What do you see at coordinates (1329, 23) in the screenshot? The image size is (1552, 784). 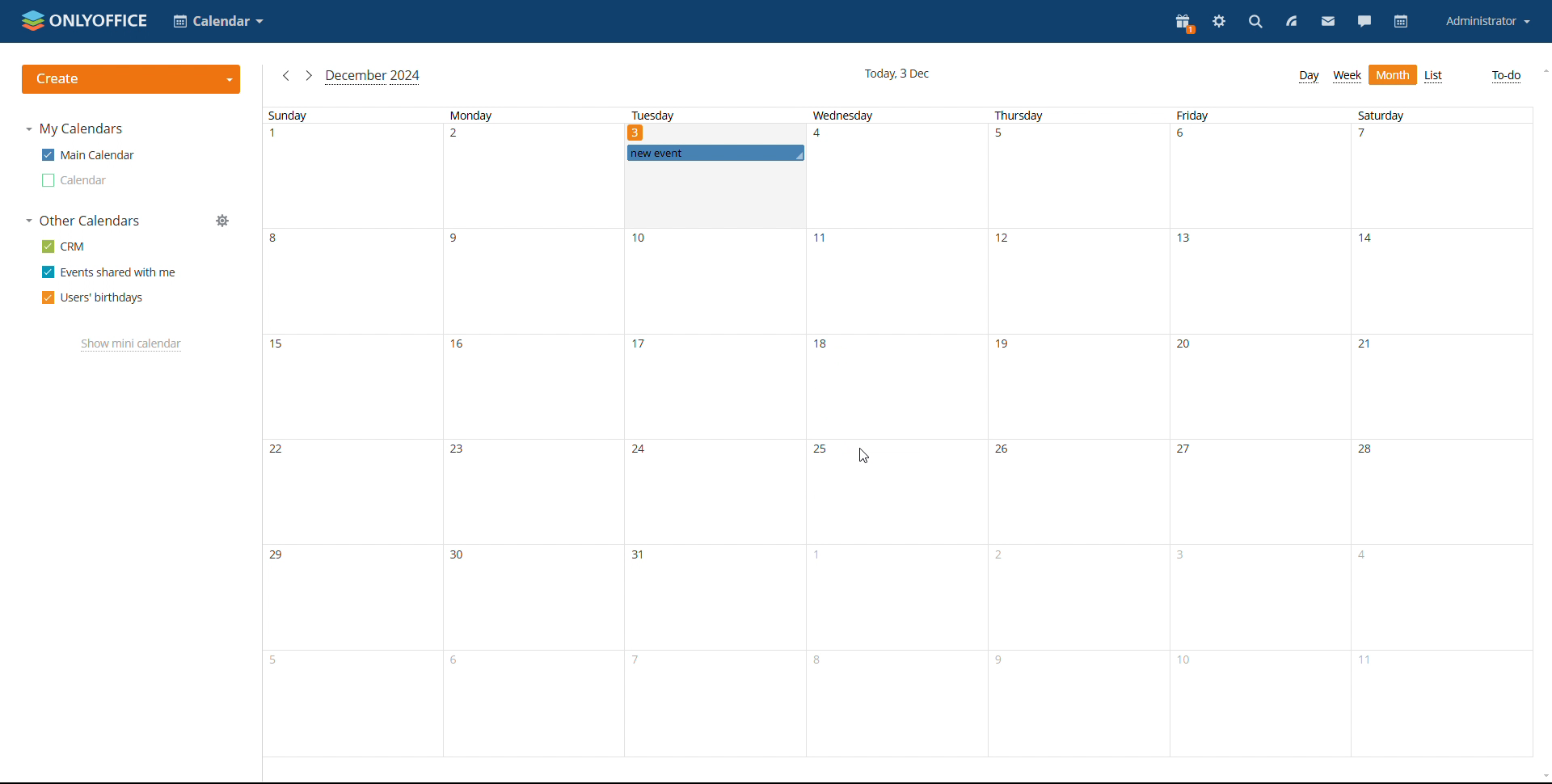 I see `mail` at bounding box center [1329, 23].